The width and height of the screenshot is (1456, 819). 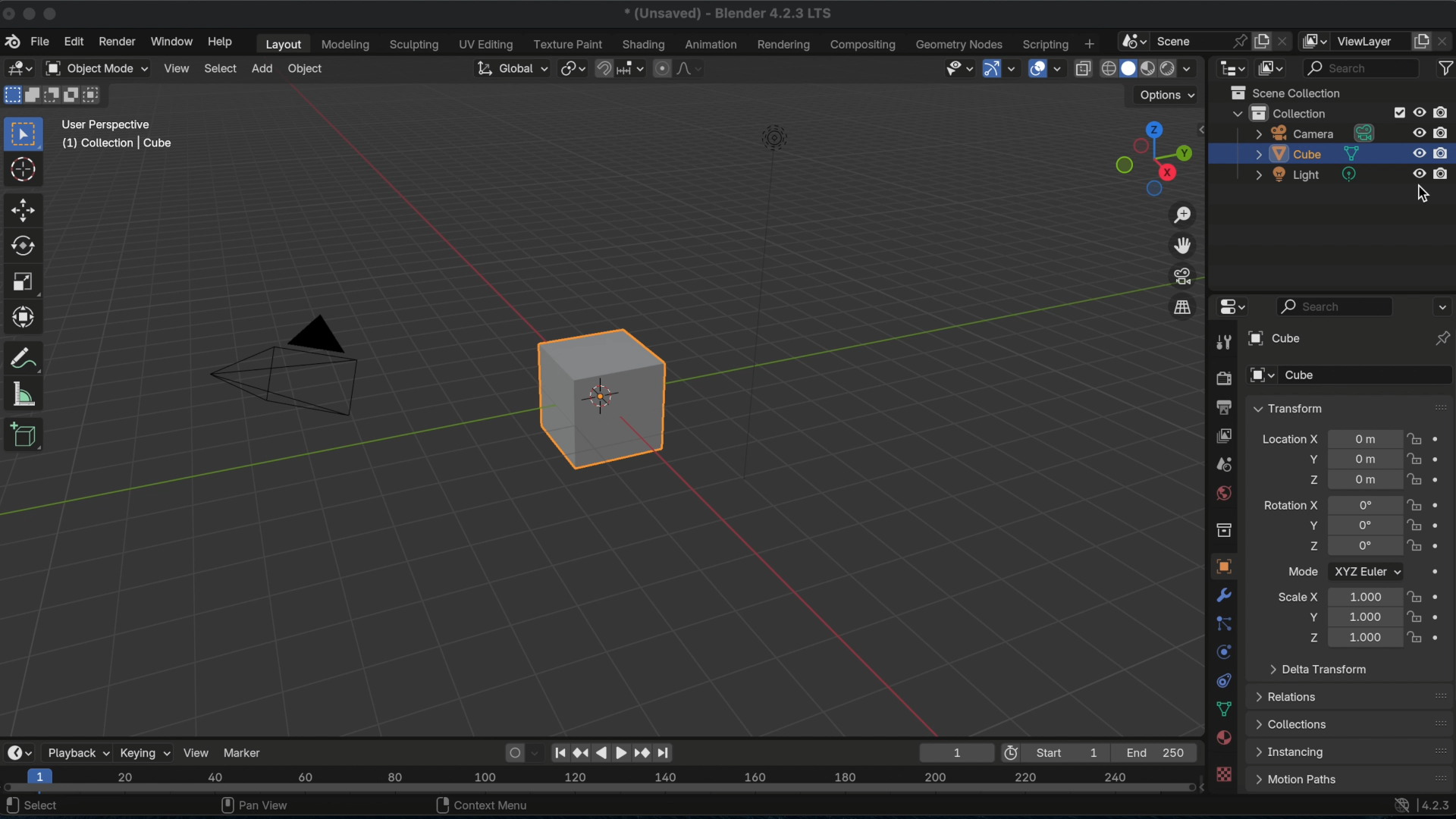 I want to click on disable in renders, so click(x=1442, y=173).